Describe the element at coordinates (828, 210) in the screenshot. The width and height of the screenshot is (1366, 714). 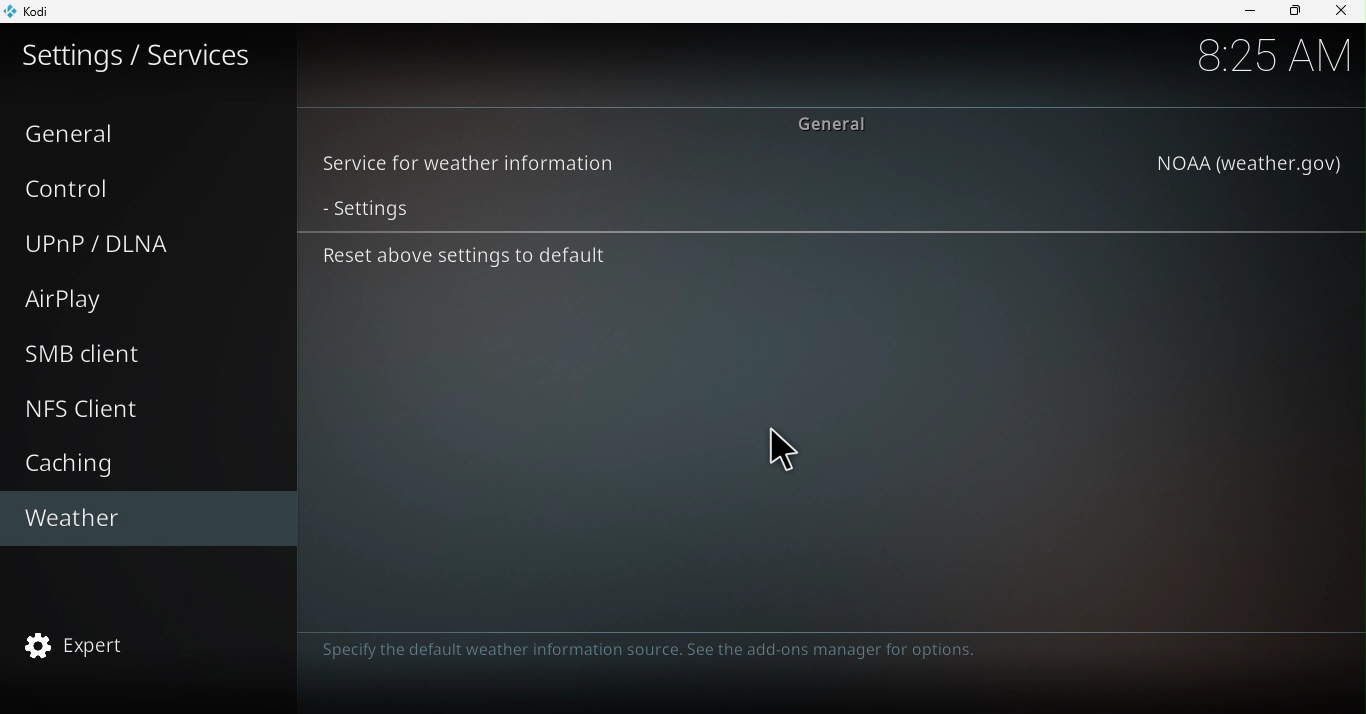
I see `Settings` at that location.